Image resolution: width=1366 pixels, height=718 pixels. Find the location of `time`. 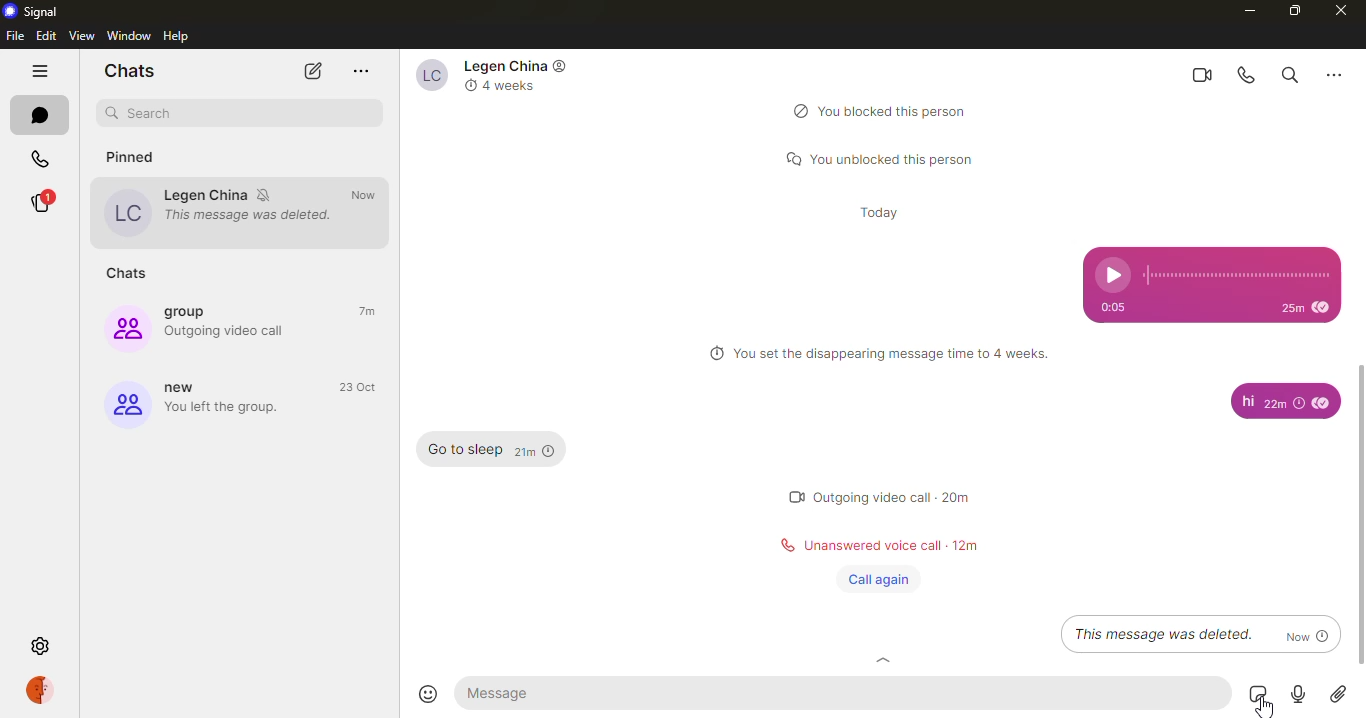

time is located at coordinates (1284, 402).